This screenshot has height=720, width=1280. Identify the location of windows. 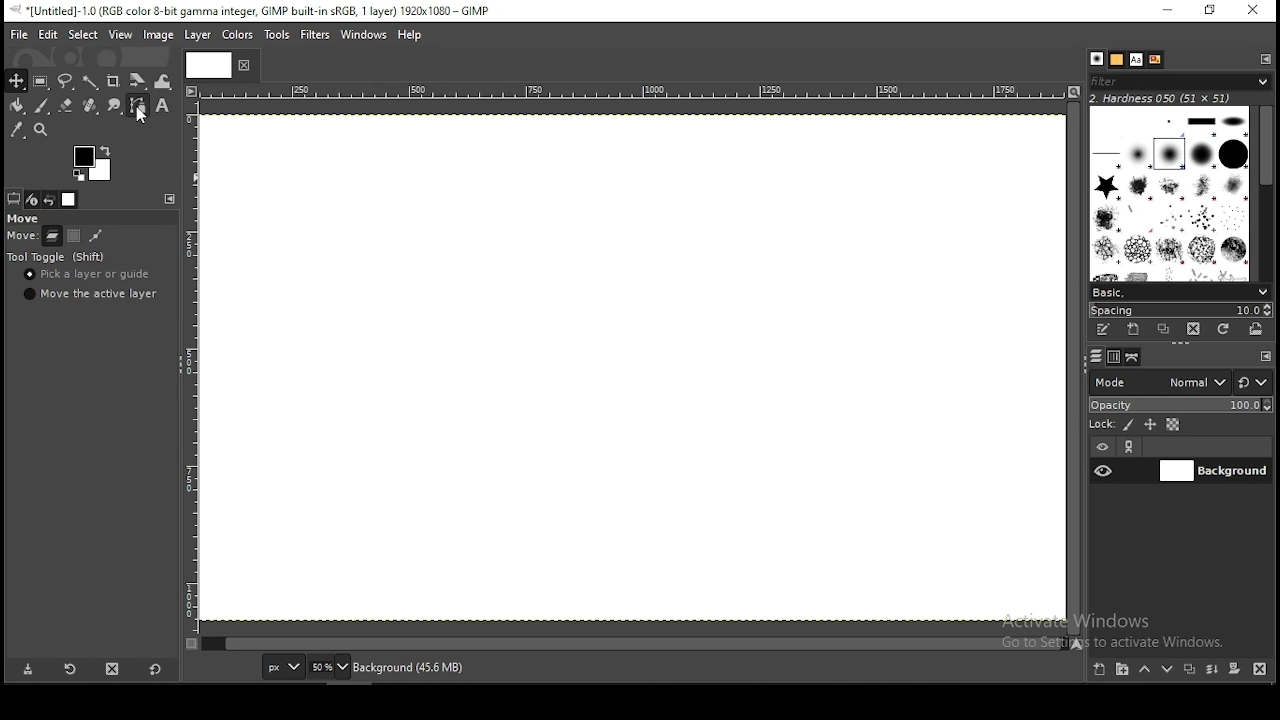
(363, 33).